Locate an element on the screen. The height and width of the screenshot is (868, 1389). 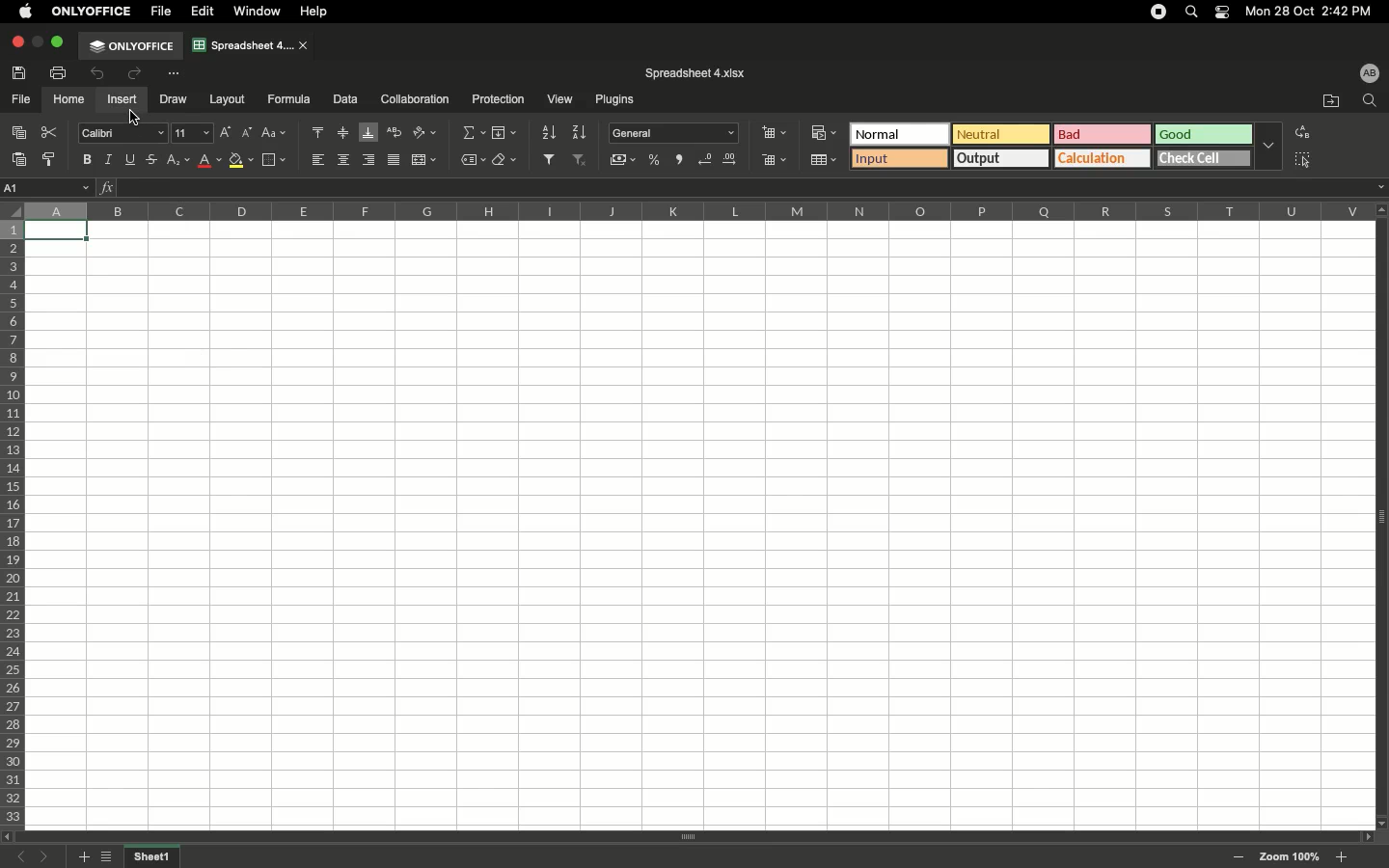
Italics is located at coordinates (109, 158).